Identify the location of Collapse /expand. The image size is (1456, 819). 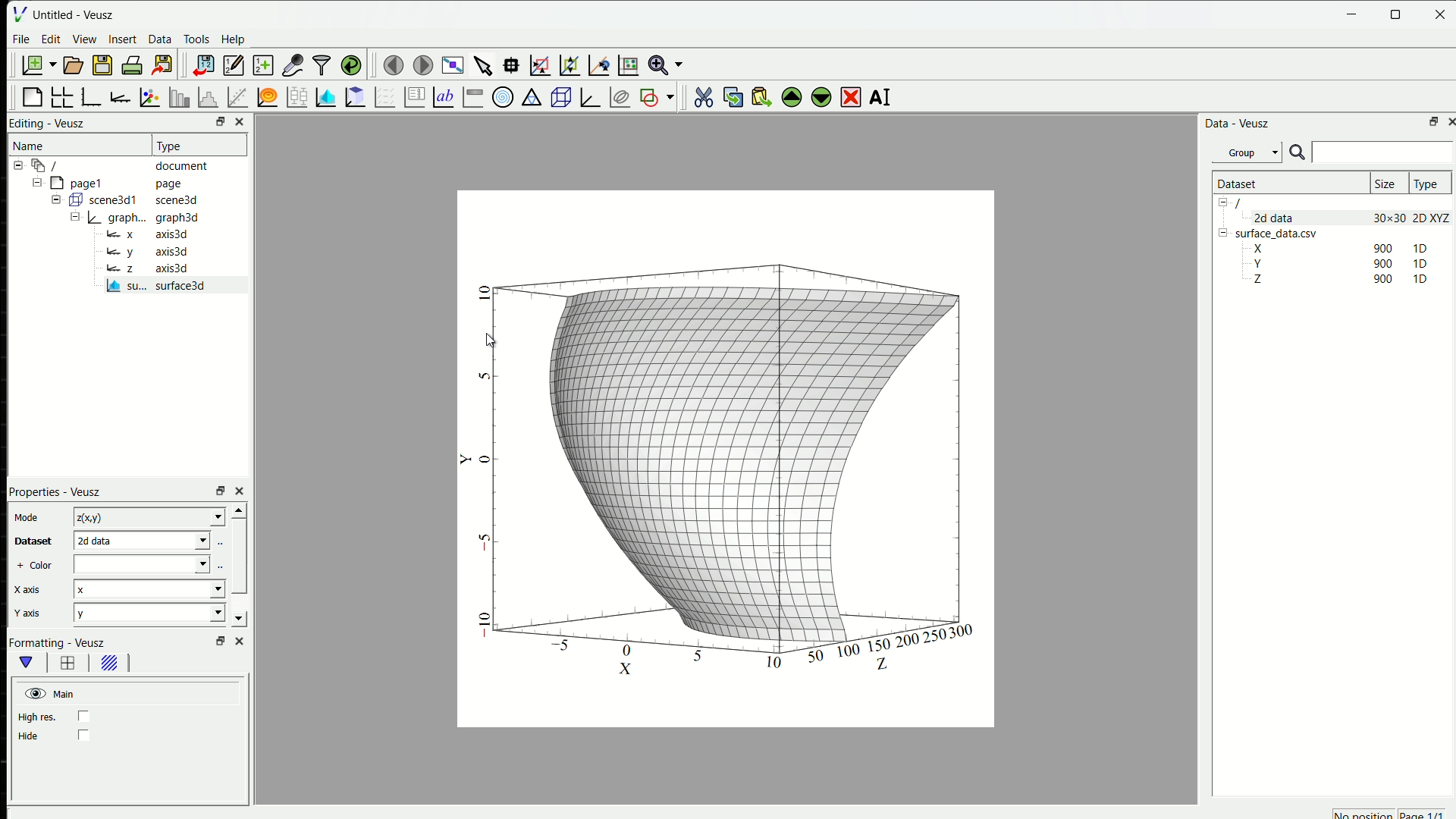
(76, 216).